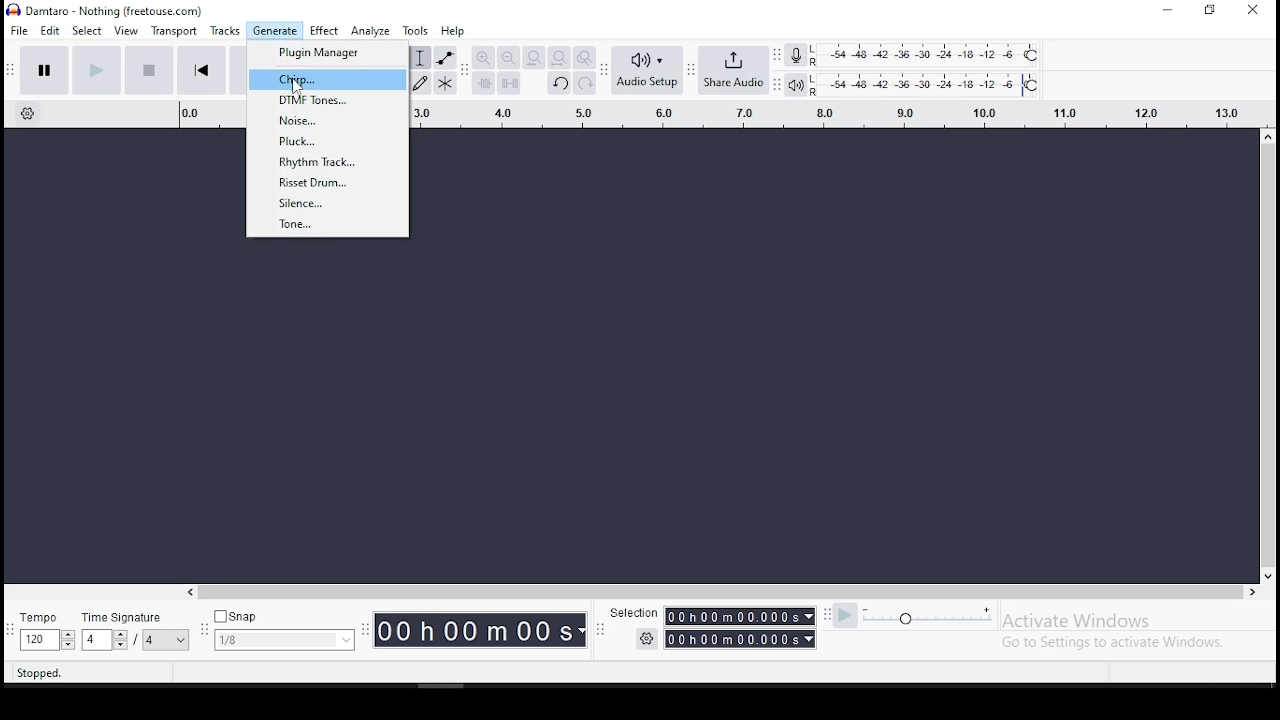 The height and width of the screenshot is (720, 1280). Describe the element at coordinates (914, 616) in the screenshot. I see `playback speed` at that location.